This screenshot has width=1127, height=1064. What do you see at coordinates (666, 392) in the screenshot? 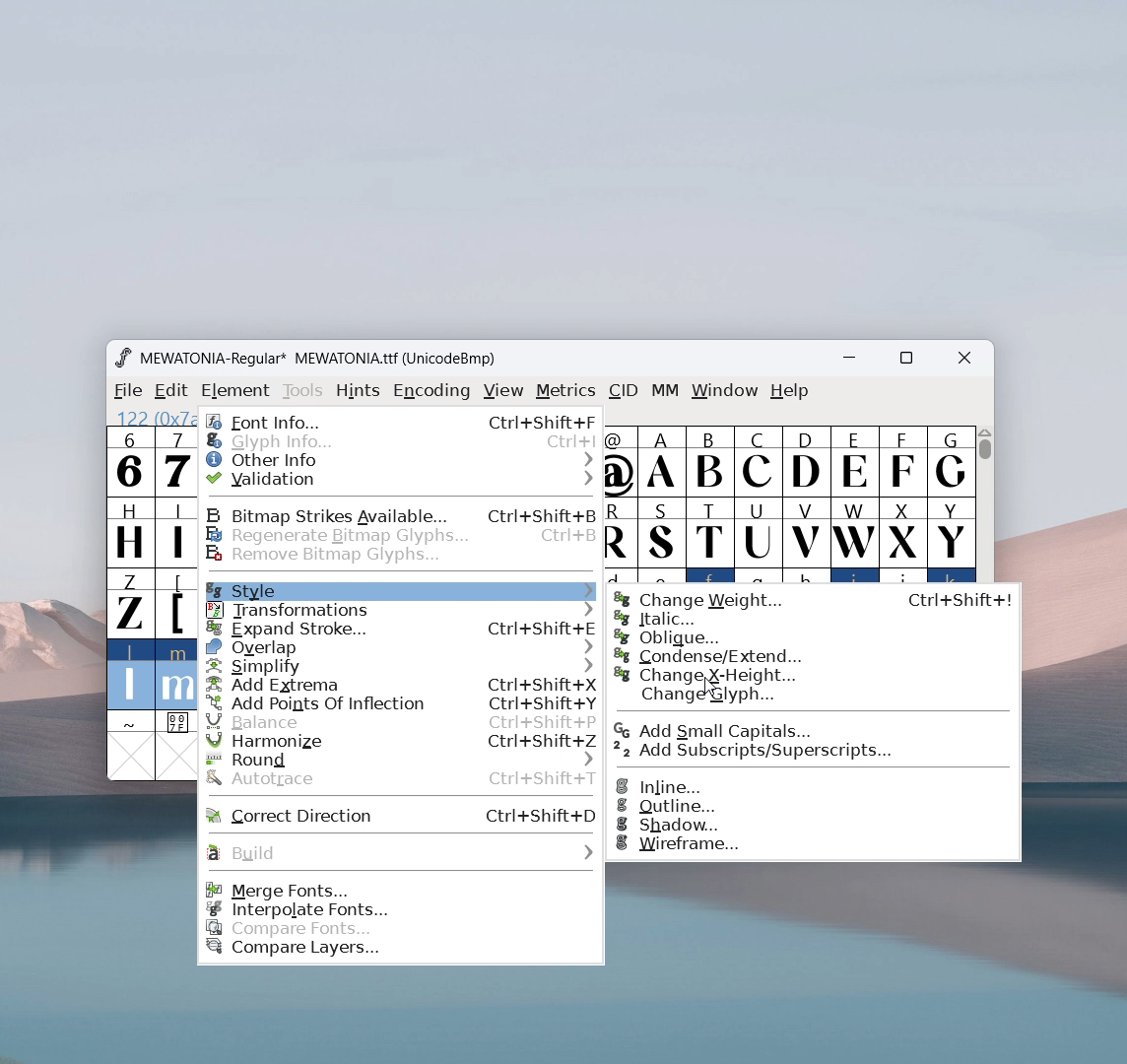
I see `MM` at bounding box center [666, 392].